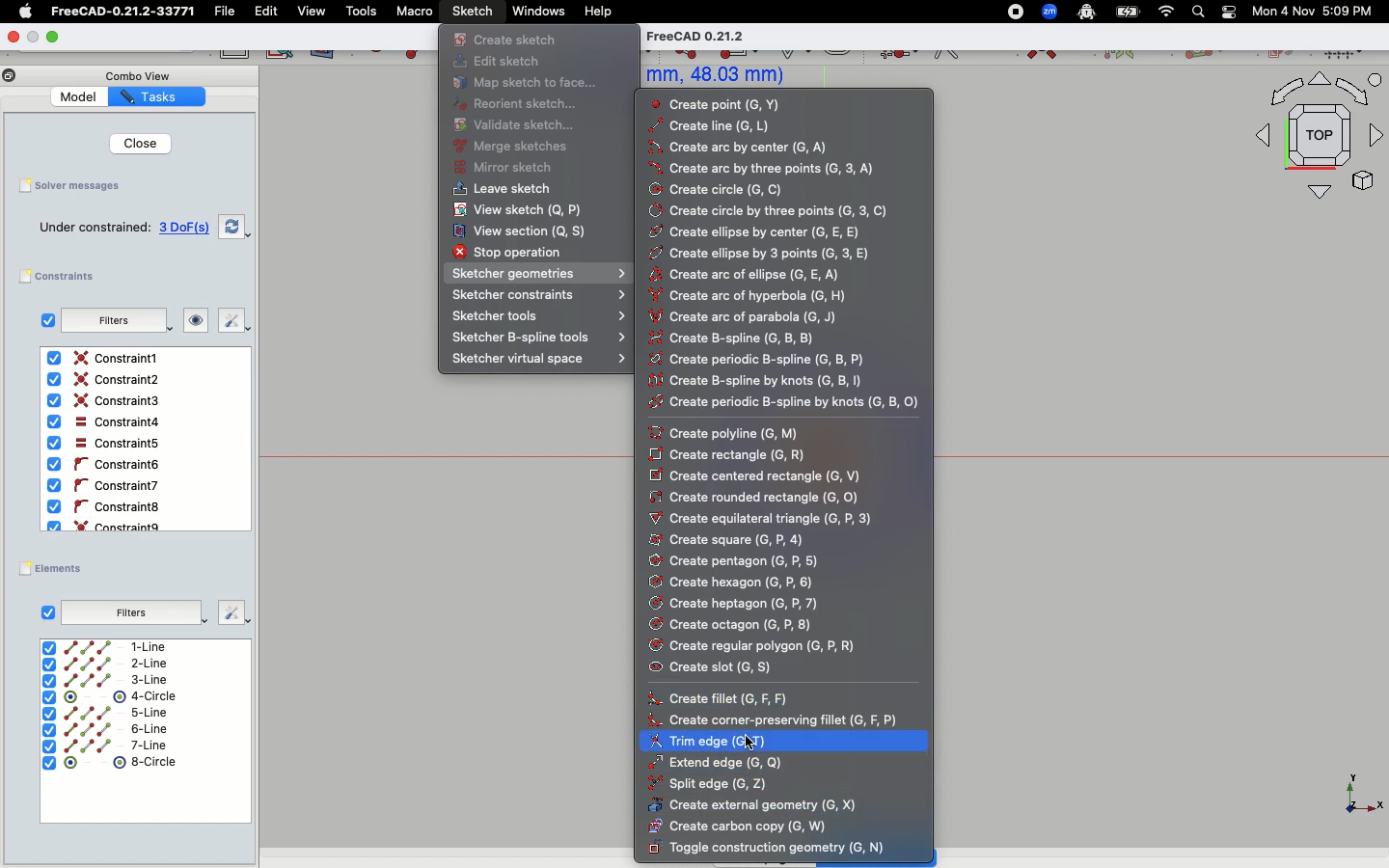  Describe the element at coordinates (101, 422) in the screenshot. I see `Constraint4` at that location.